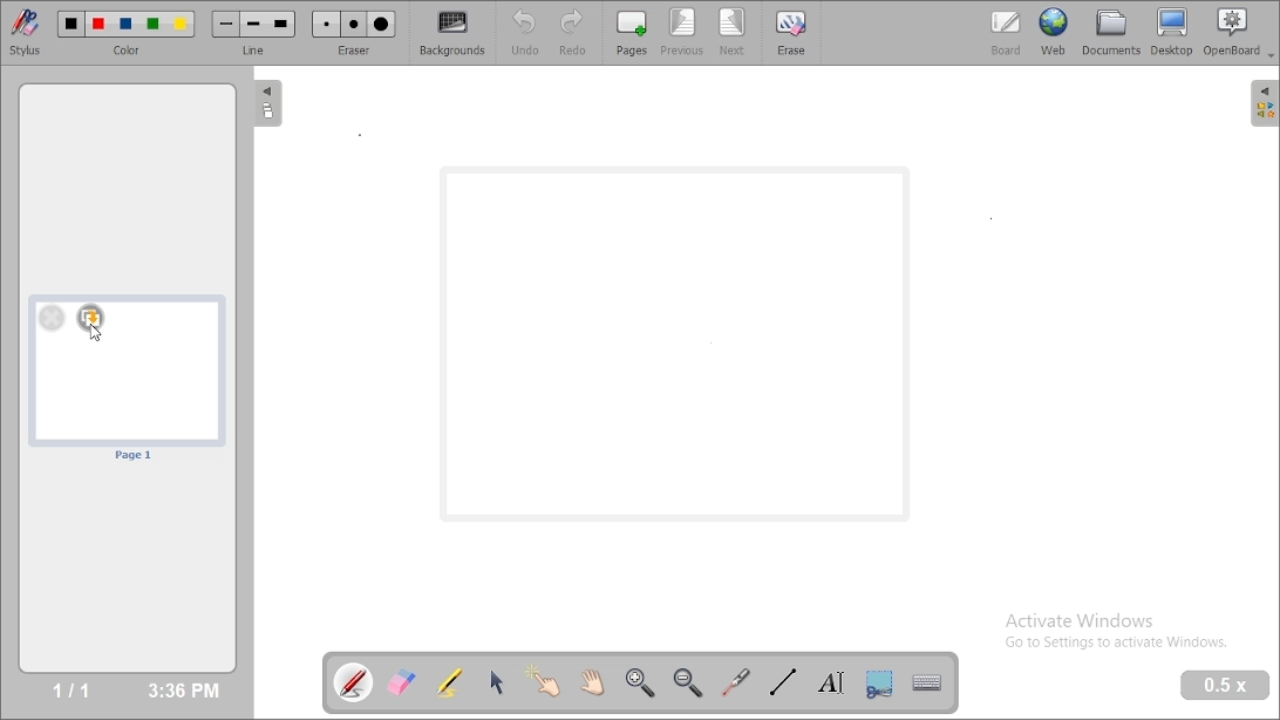  What do you see at coordinates (126, 25) in the screenshot?
I see `Color 3` at bounding box center [126, 25].